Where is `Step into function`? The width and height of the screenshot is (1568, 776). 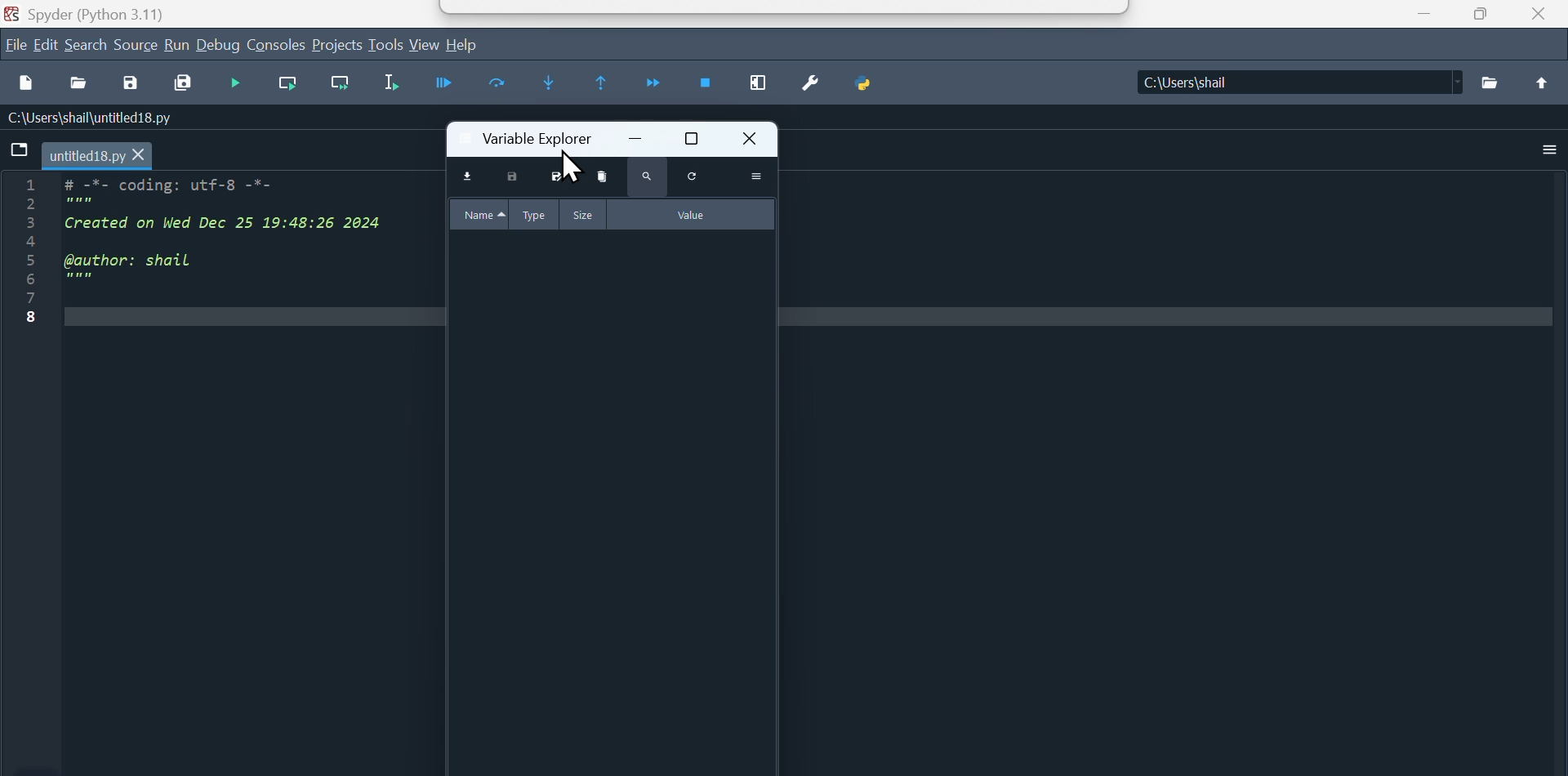
Step into function is located at coordinates (562, 87).